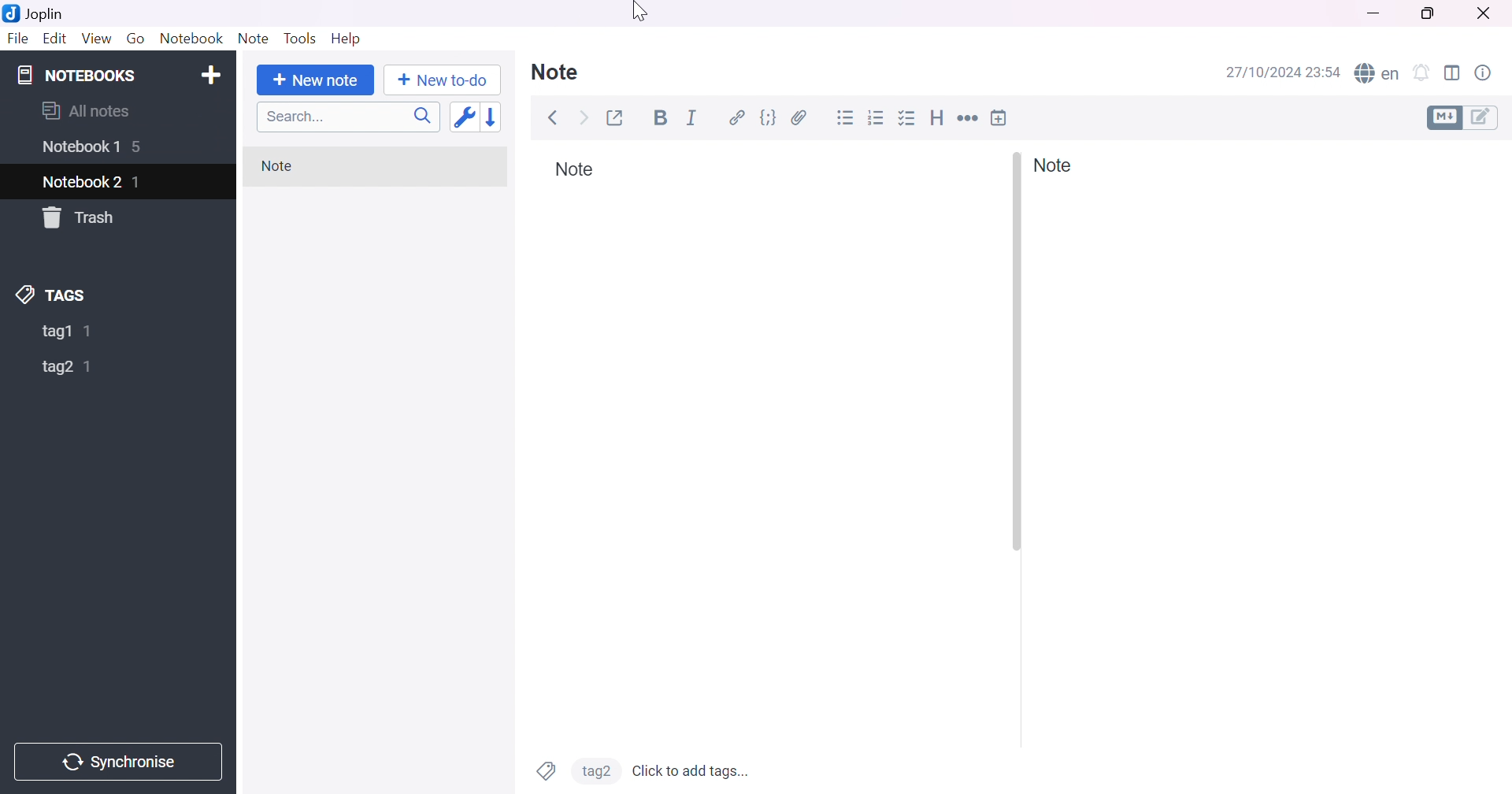  I want to click on Note, so click(1051, 165).